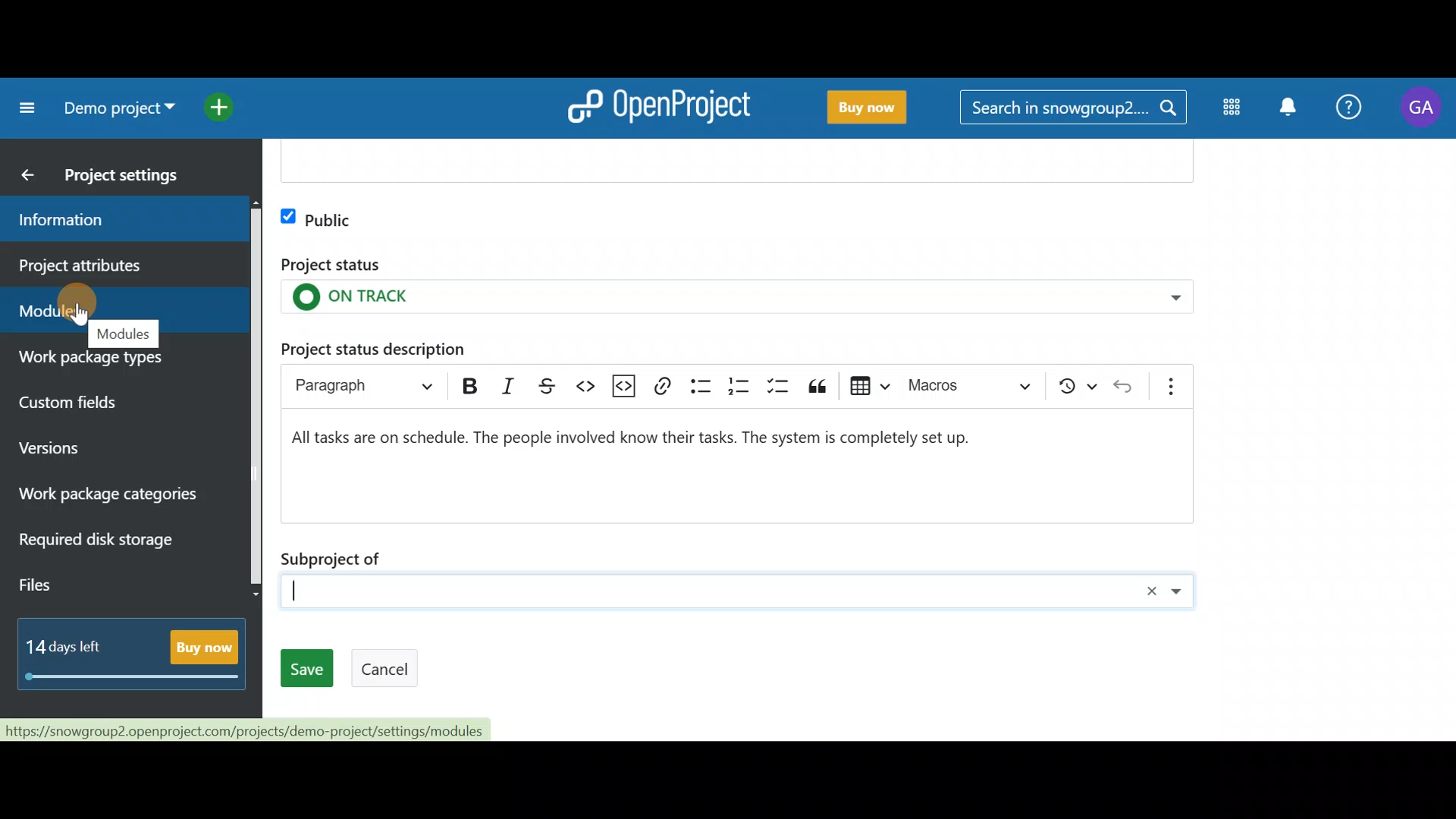 Image resolution: width=1456 pixels, height=819 pixels. I want to click on Project status description, so click(373, 347).